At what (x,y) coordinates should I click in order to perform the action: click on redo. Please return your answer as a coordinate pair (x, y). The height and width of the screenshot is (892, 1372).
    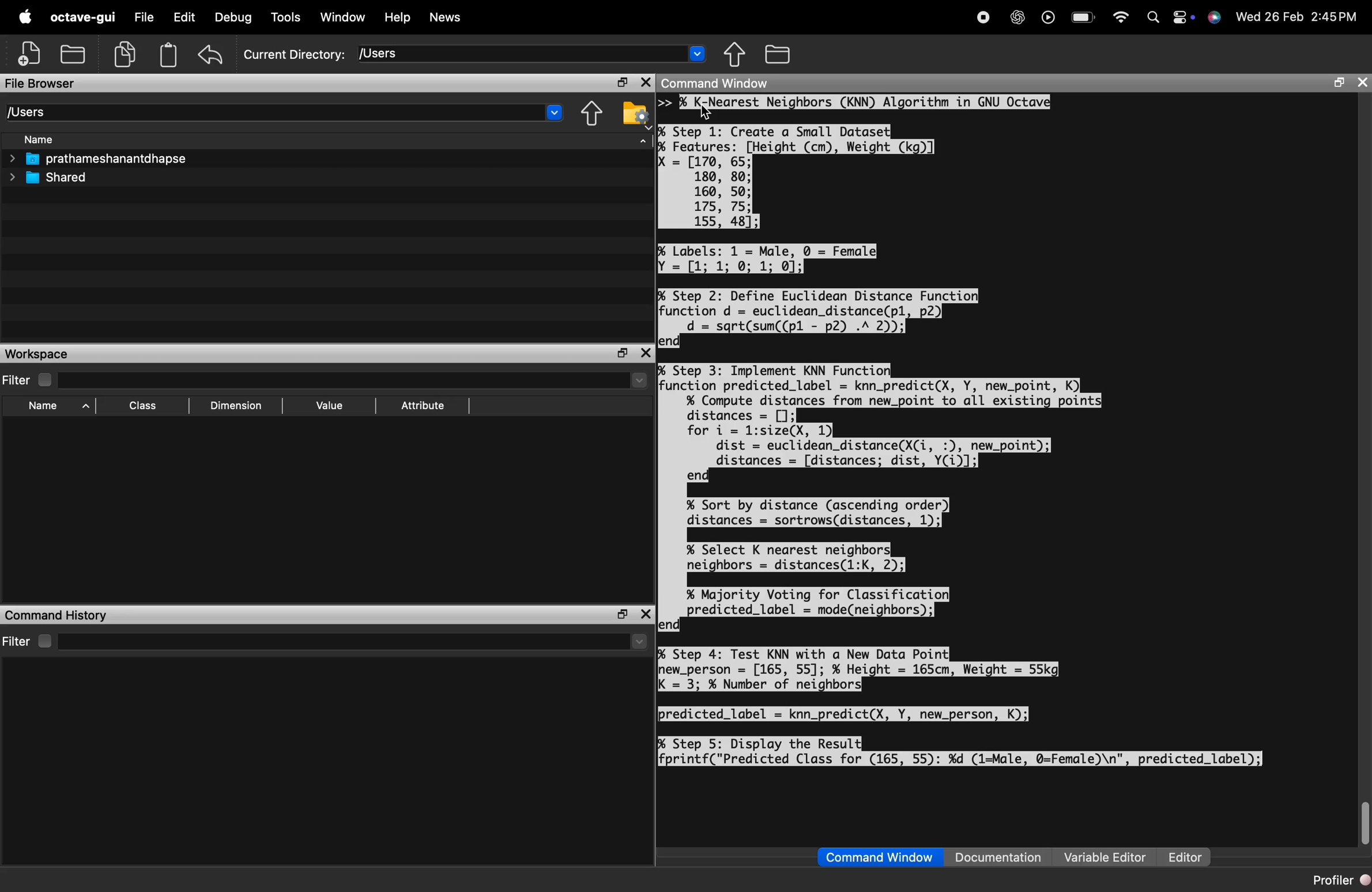
    Looking at the image, I should click on (214, 54).